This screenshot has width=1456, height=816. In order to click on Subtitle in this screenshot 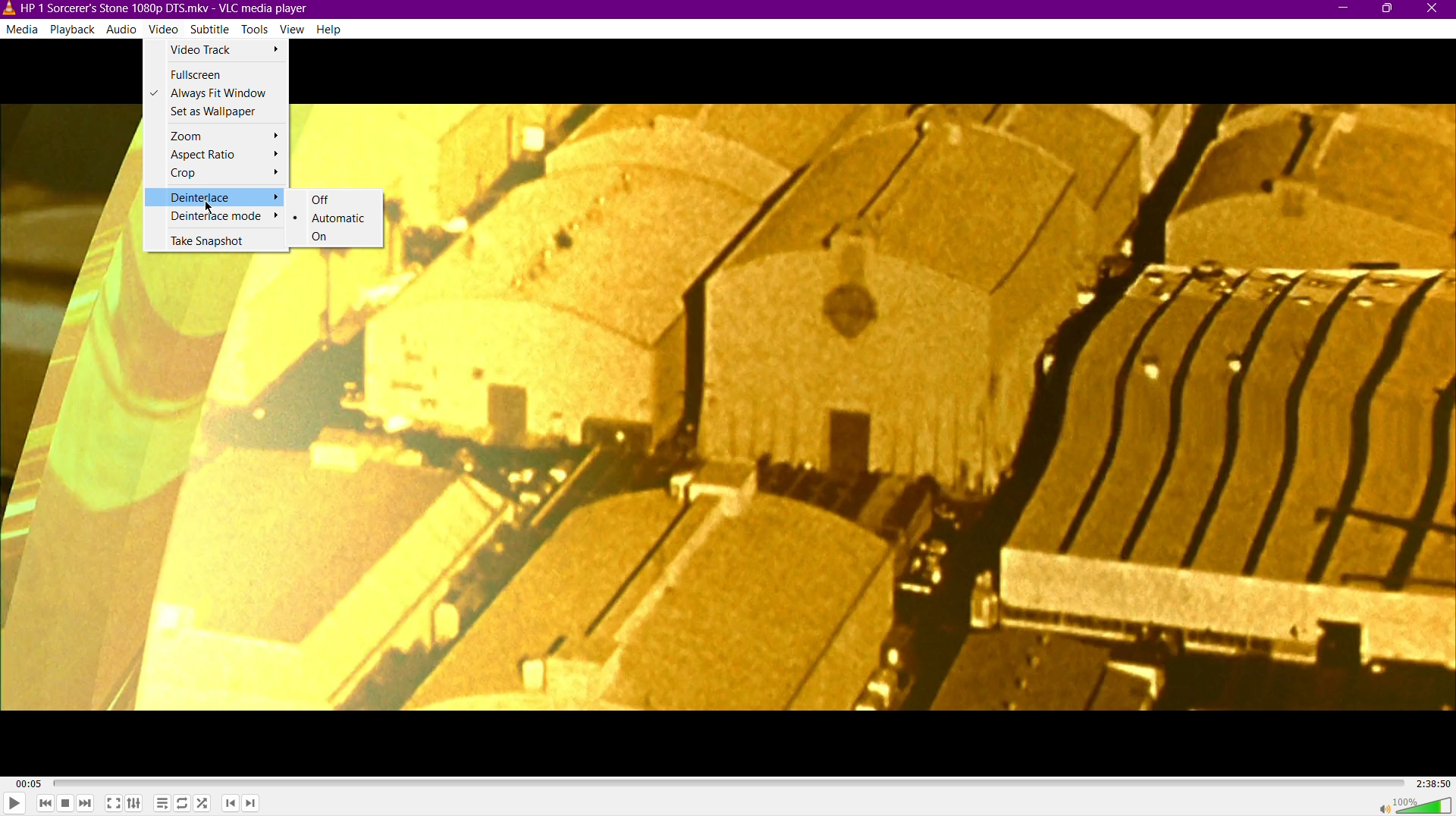, I will do `click(212, 29)`.